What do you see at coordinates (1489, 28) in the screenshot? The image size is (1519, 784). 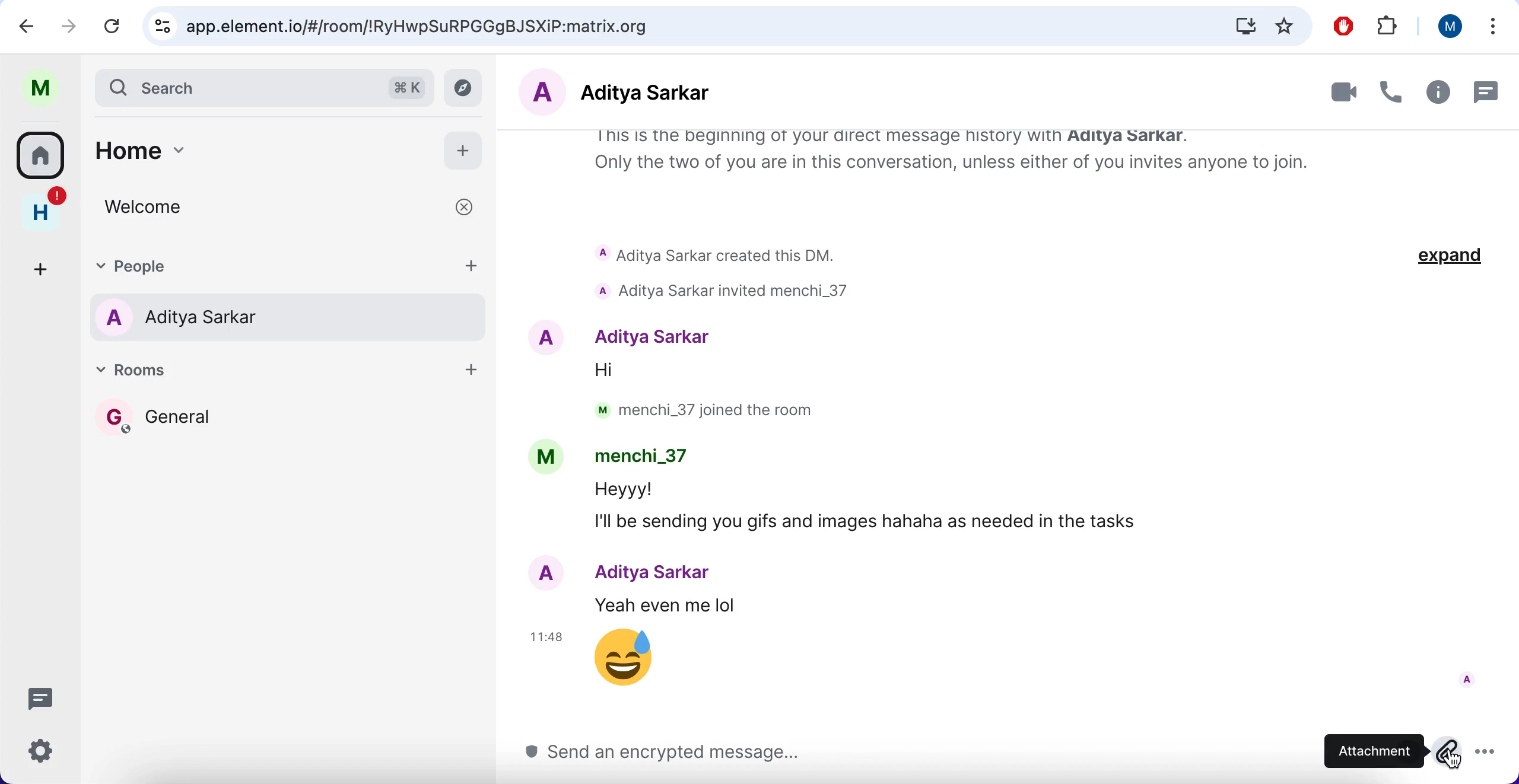 I see `list all tabs` at bounding box center [1489, 28].